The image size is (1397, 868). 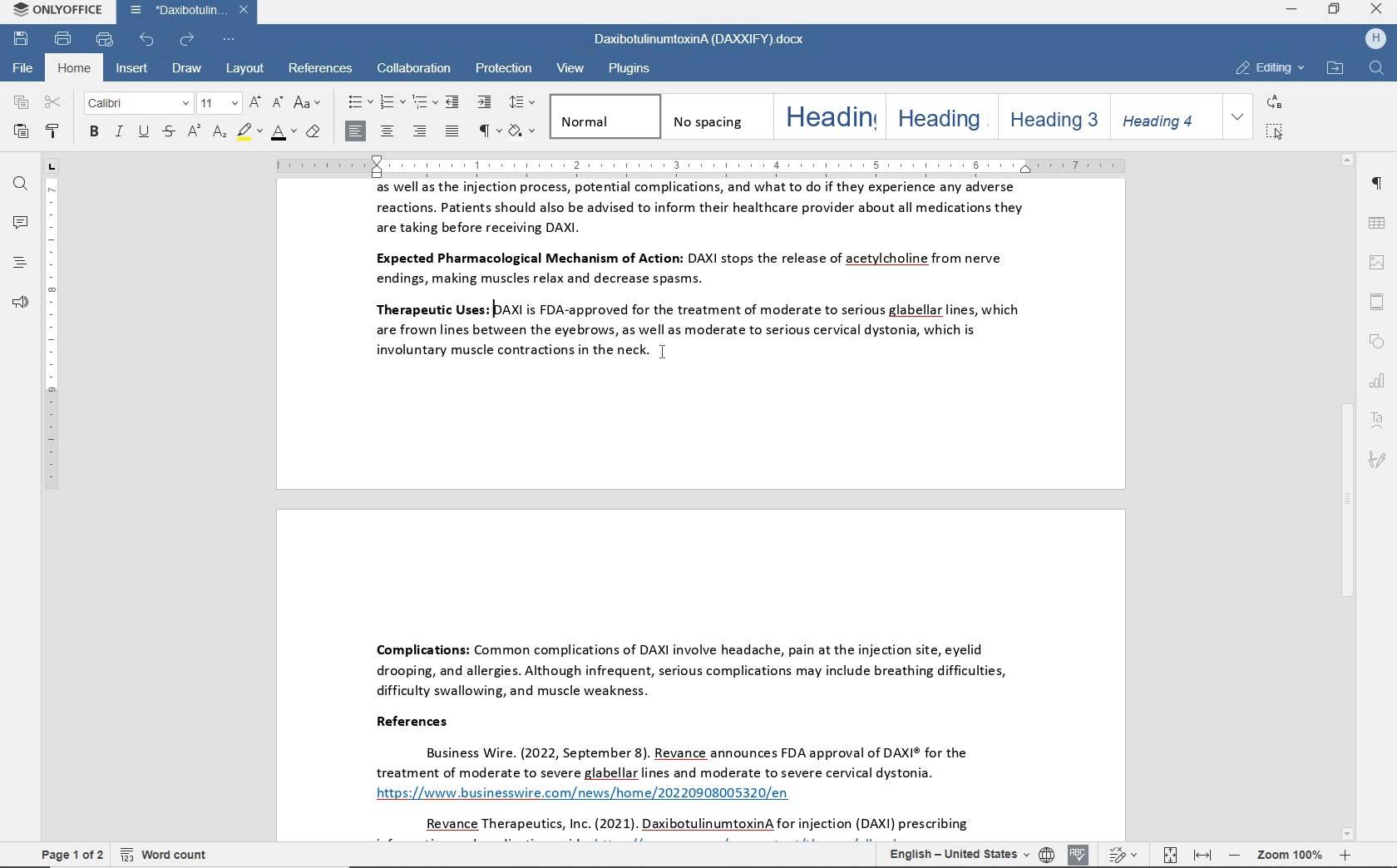 What do you see at coordinates (22, 37) in the screenshot?
I see `save` at bounding box center [22, 37].